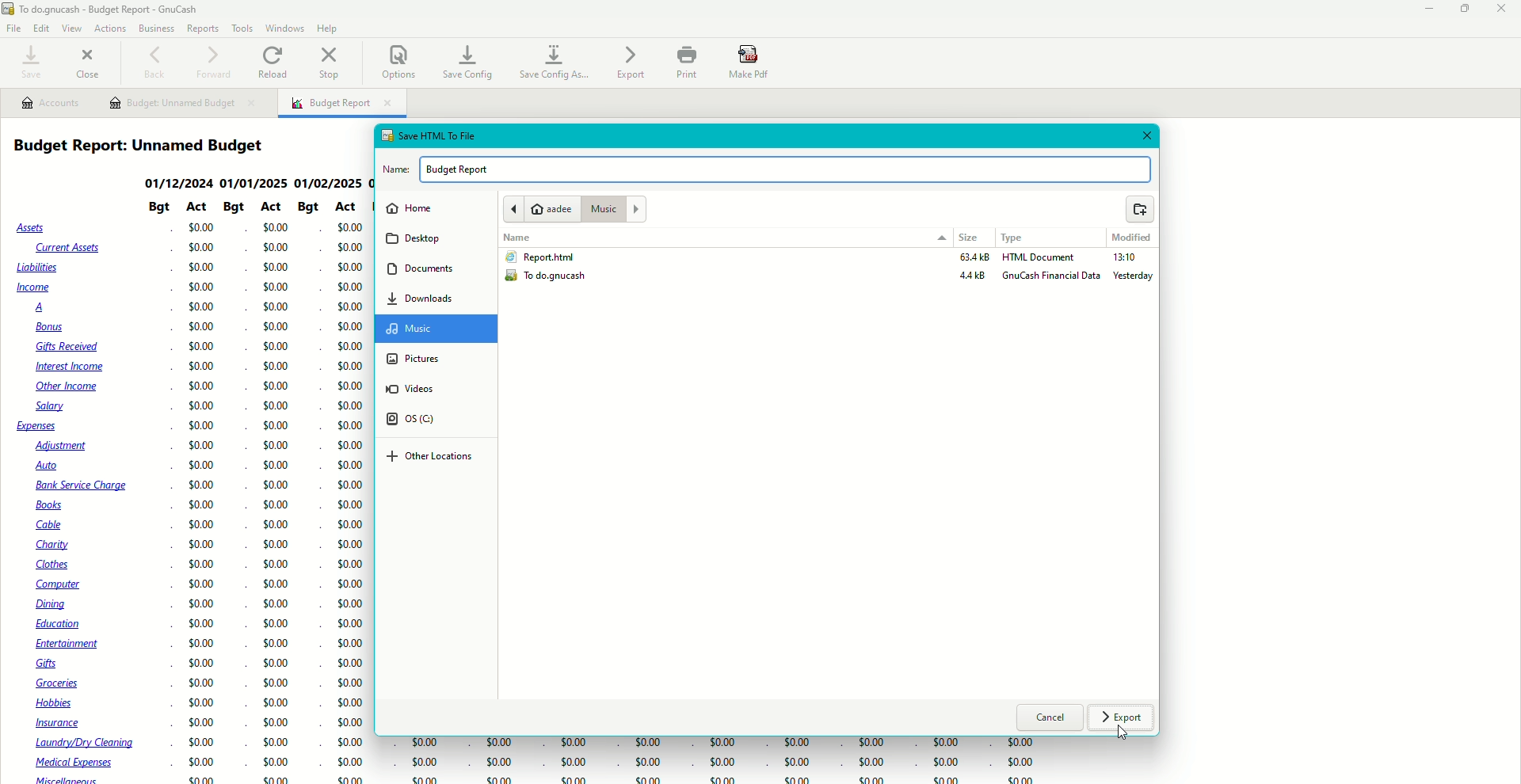 The width and height of the screenshot is (1521, 784). I want to click on To do, so click(551, 278).